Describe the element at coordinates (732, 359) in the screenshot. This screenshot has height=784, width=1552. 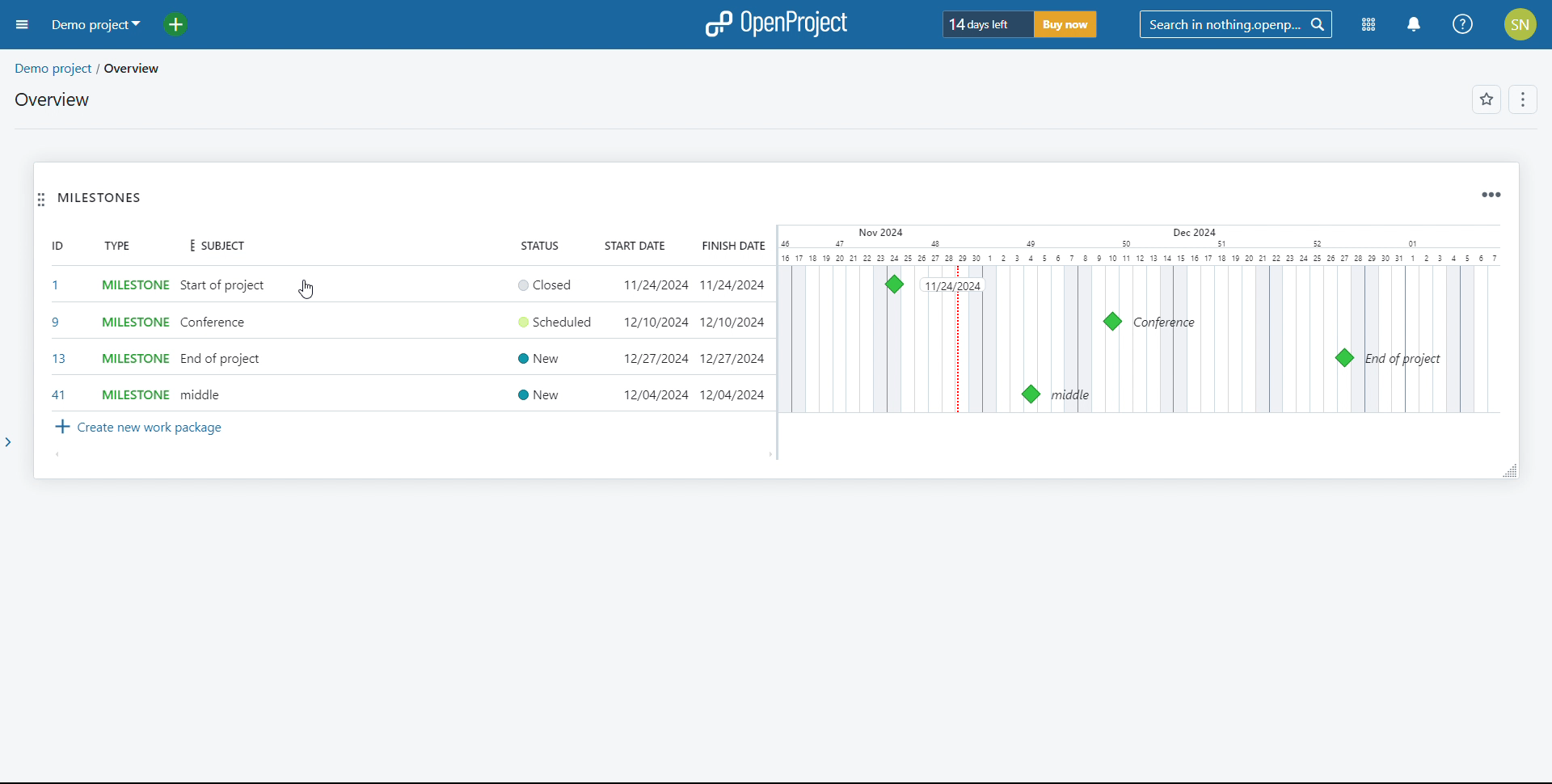
I see `12/27/2024` at that location.